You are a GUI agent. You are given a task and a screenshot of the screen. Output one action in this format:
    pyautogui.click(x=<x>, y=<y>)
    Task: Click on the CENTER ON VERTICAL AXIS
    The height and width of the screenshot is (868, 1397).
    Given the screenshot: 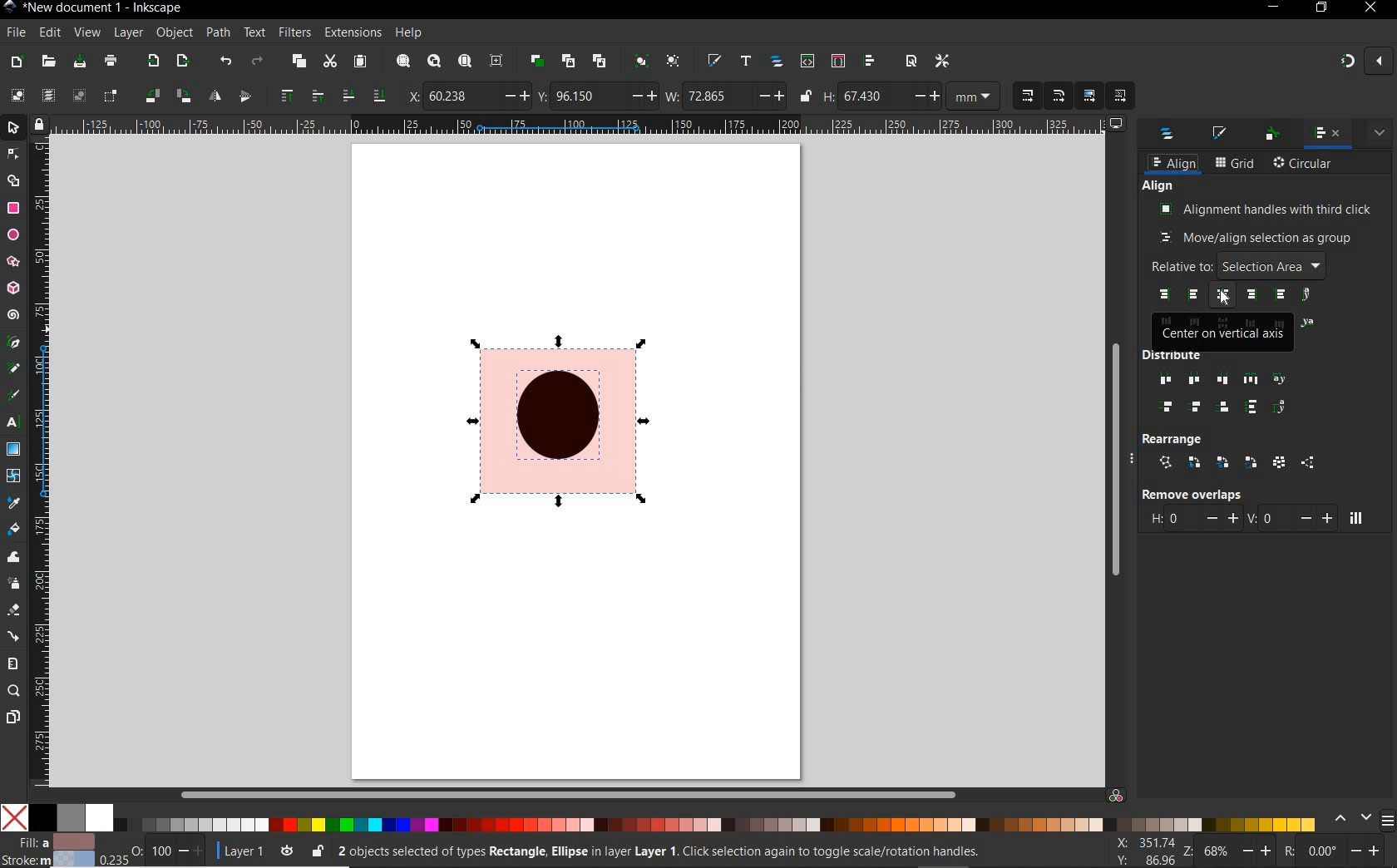 What is the action you would take?
    pyautogui.click(x=1225, y=295)
    